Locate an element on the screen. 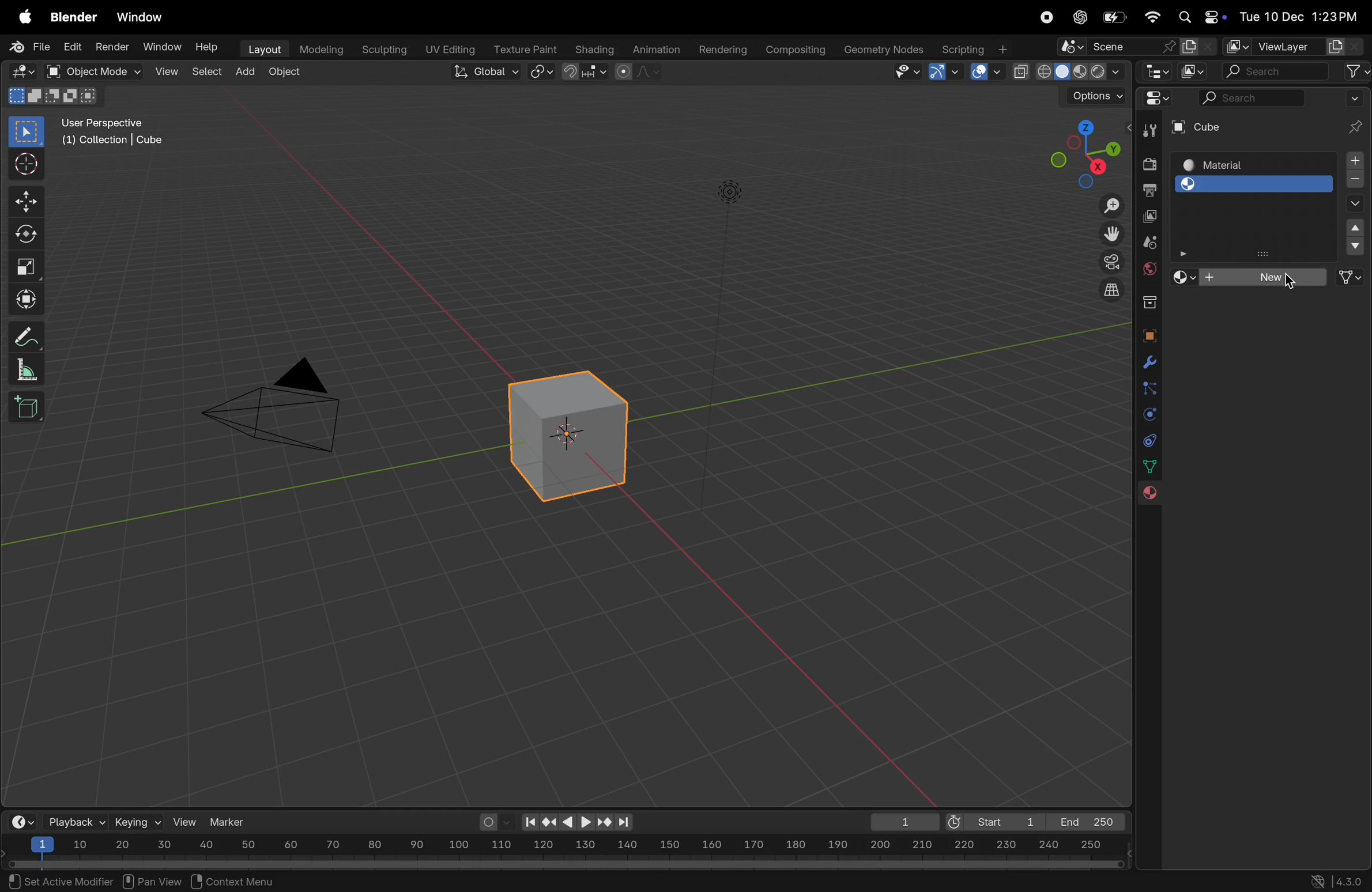 Image resolution: width=1372 pixels, height=892 pixels. record is located at coordinates (1046, 18).